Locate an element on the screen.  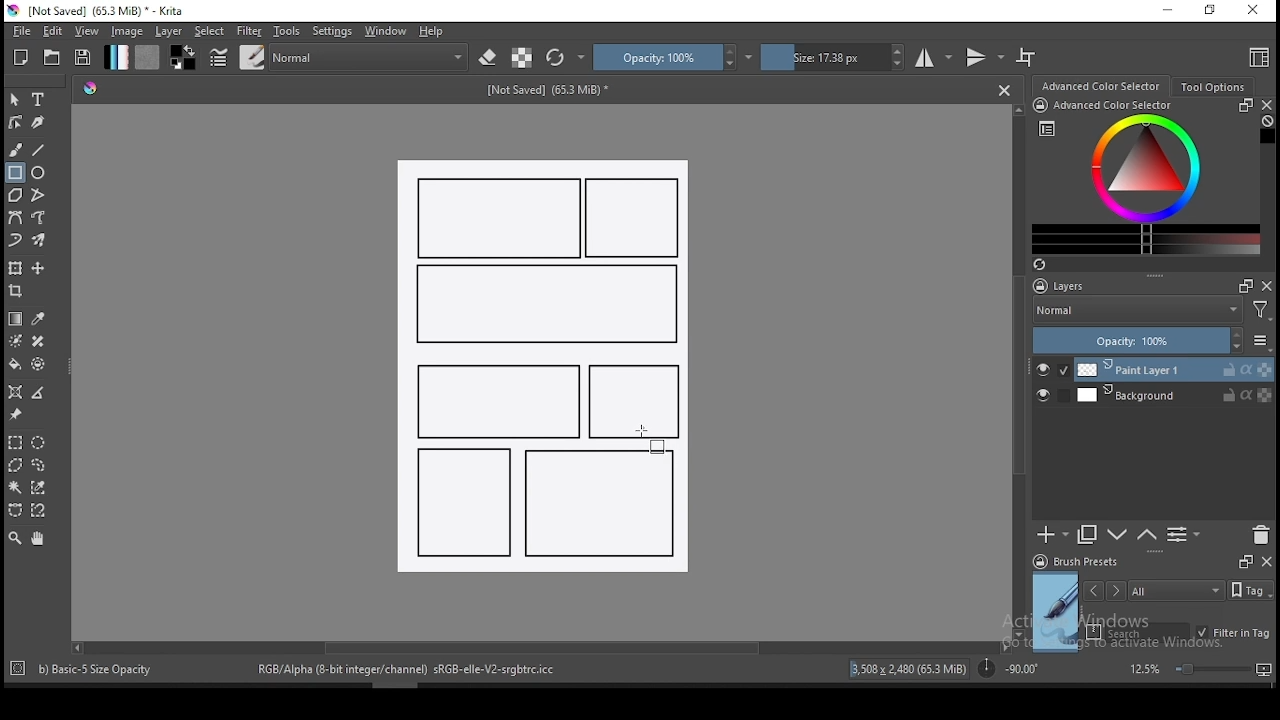
bezier curve selection tool is located at coordinates (15, 511).